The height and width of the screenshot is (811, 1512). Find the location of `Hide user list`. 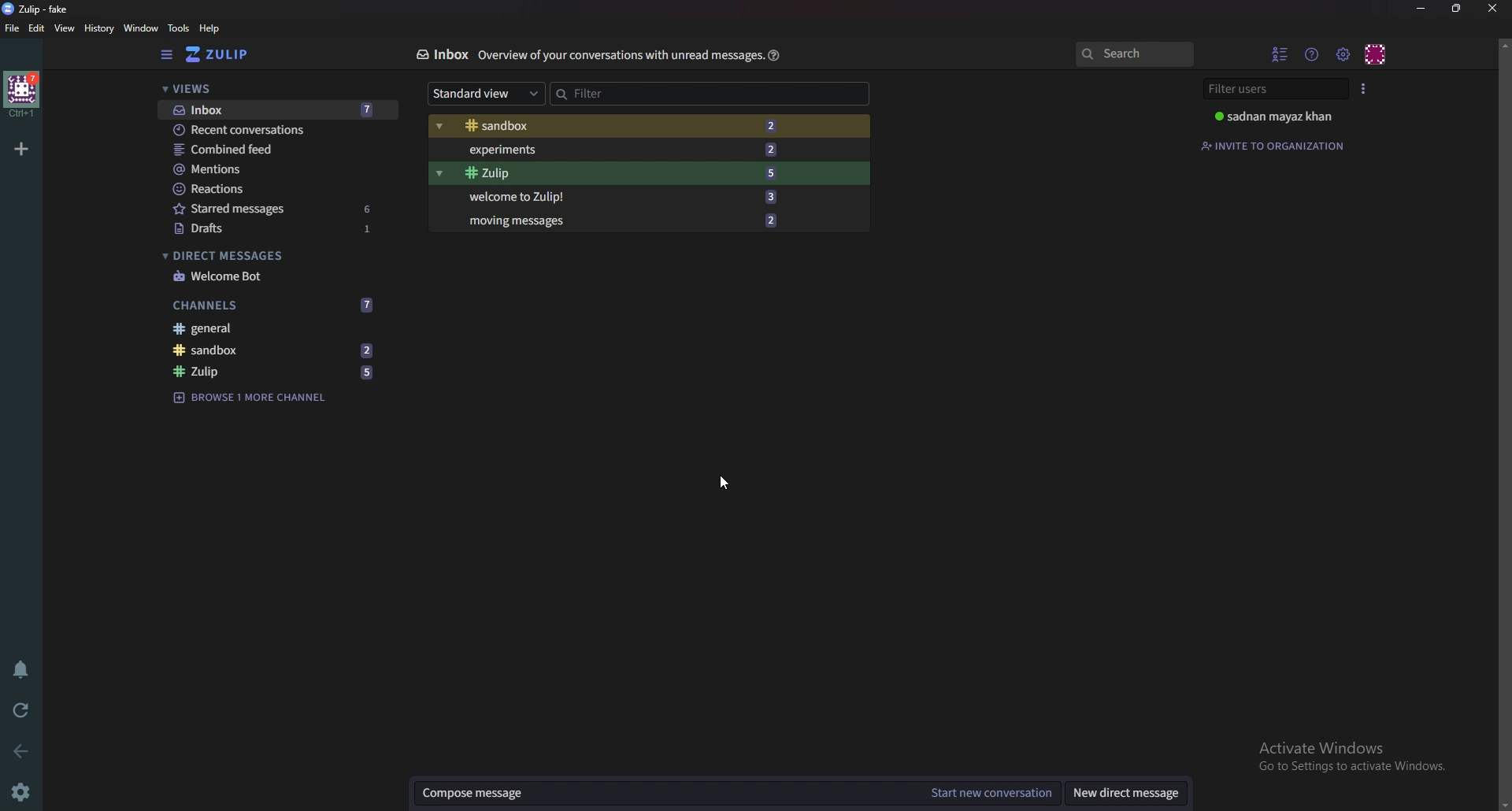

Hide user list is located at coordinates (1282, 54).